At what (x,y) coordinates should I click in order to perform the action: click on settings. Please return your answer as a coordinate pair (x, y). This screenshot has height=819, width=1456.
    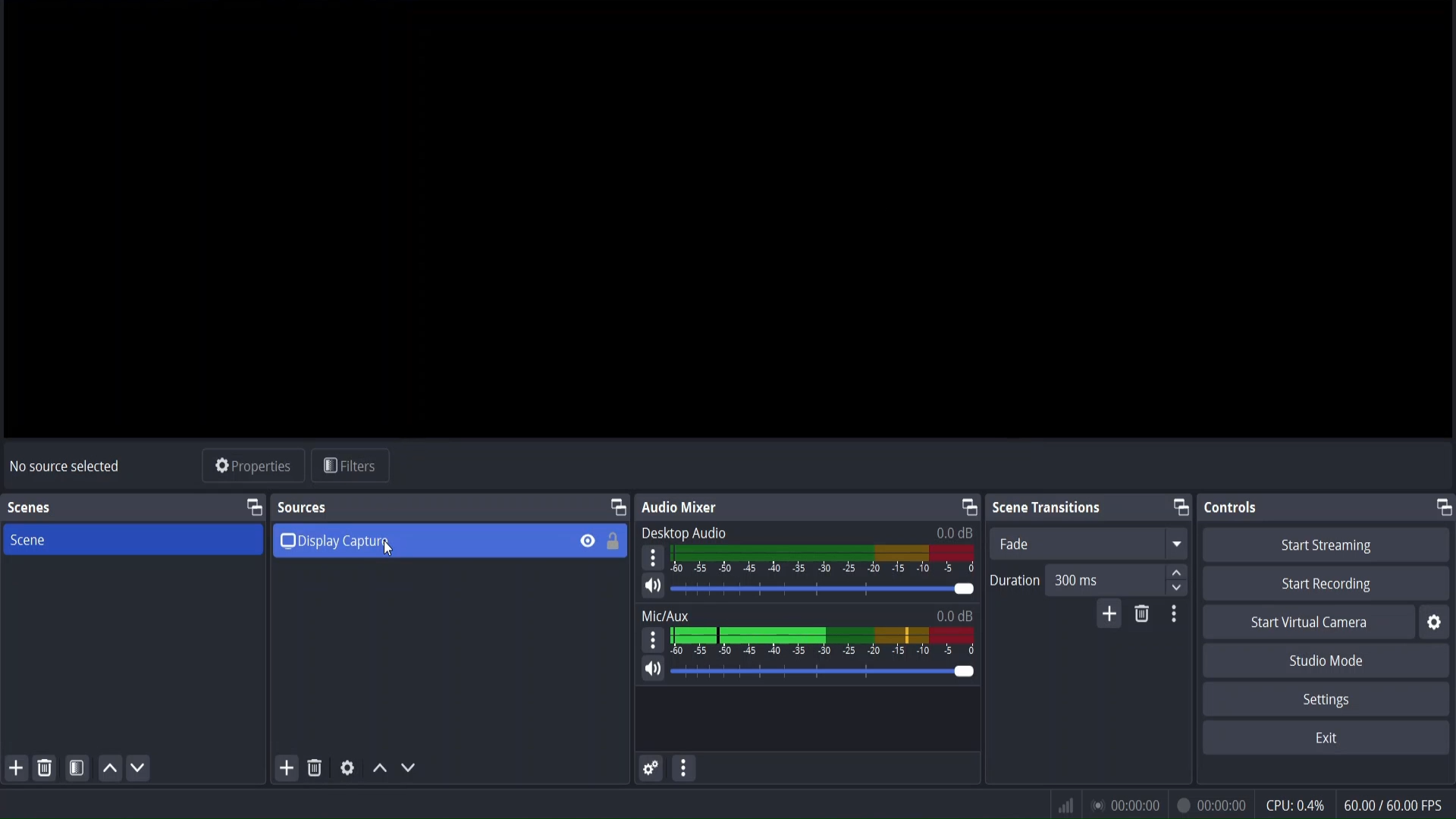
    Looking at the image, I should click on (652, 641).